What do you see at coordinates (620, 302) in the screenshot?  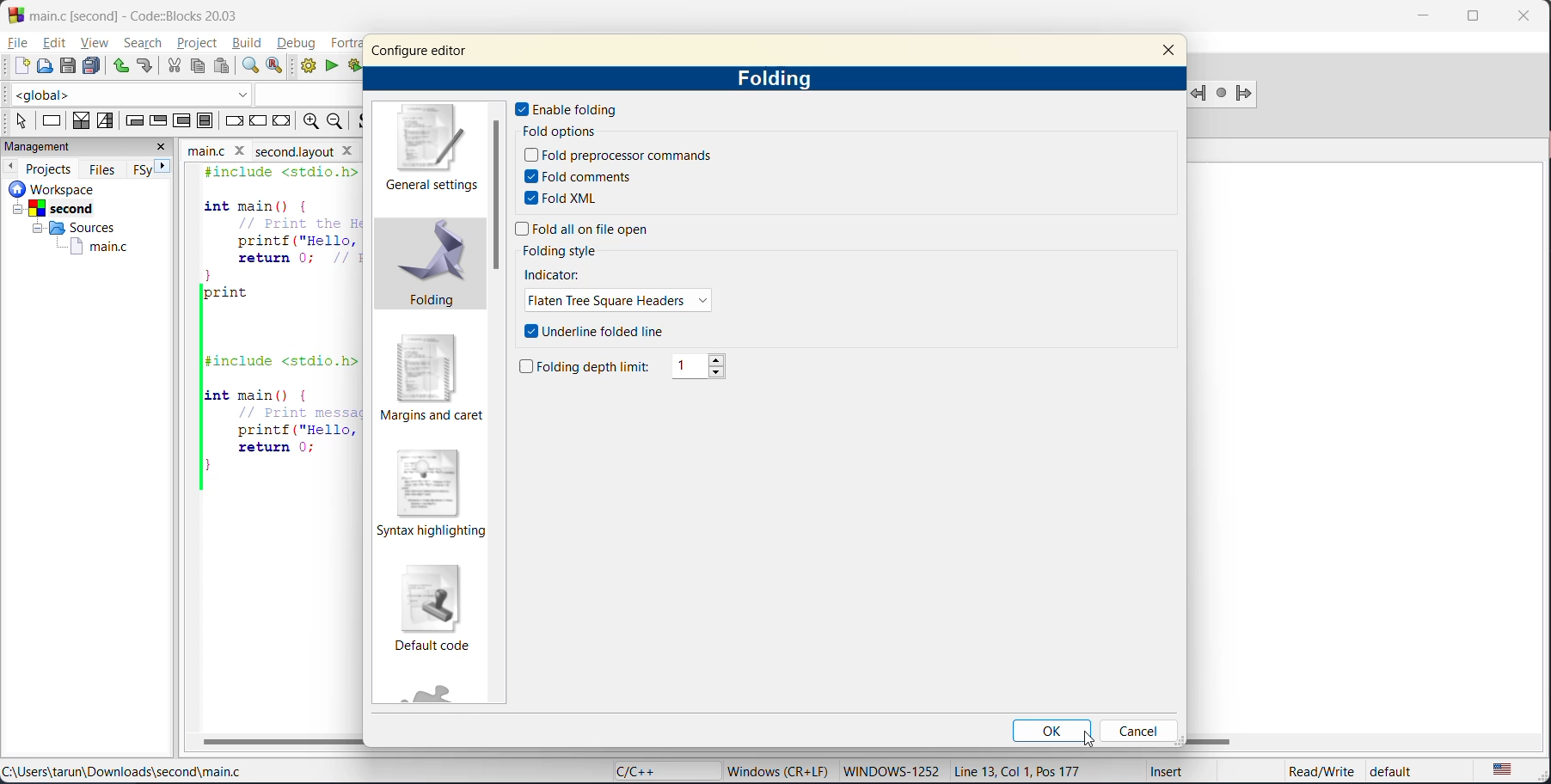 I see `flaten tree square headers` at bounding box center [620, 302].